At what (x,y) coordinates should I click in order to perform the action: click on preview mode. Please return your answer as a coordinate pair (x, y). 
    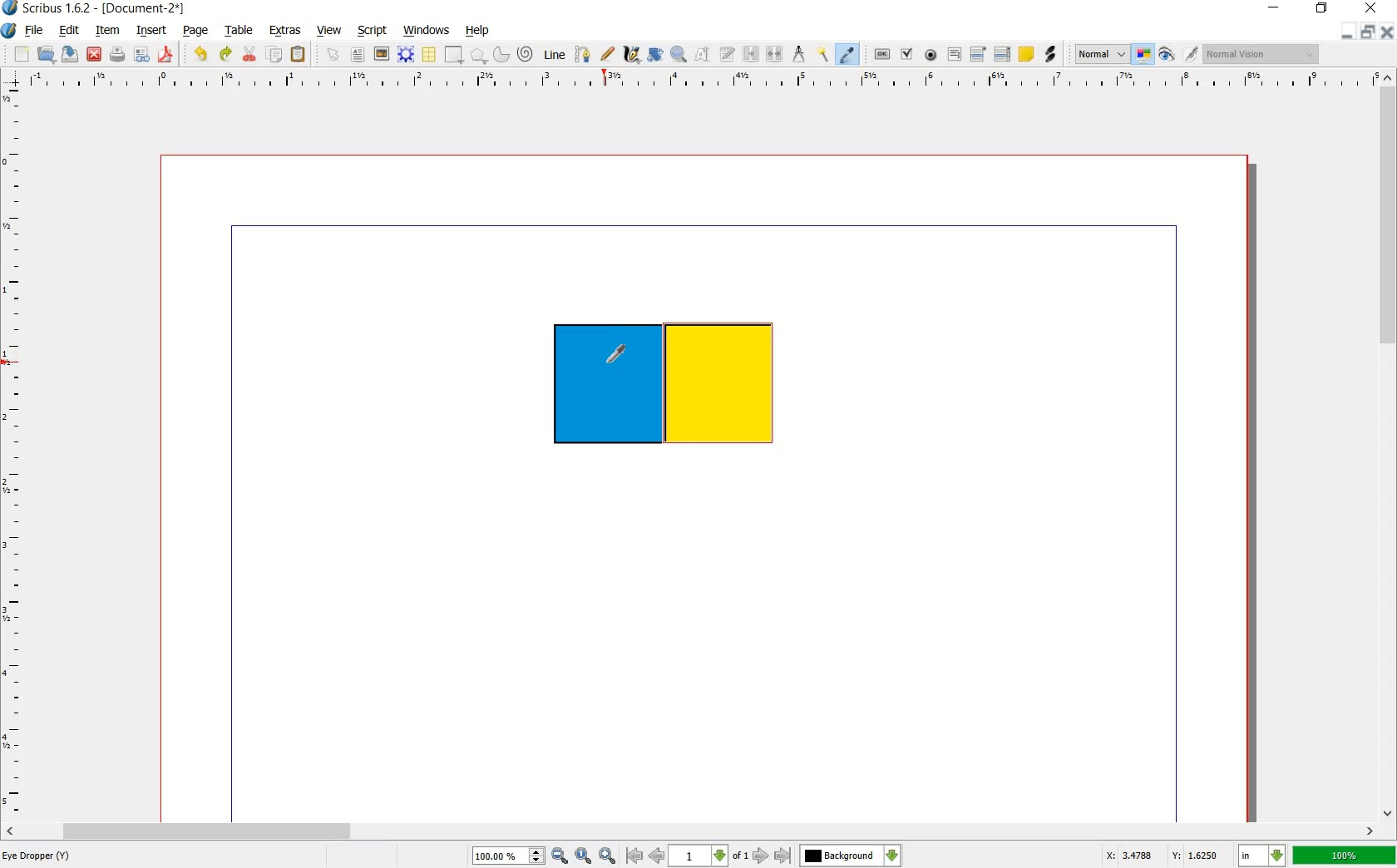
    Looking at the image, I should click on (1167, 55).